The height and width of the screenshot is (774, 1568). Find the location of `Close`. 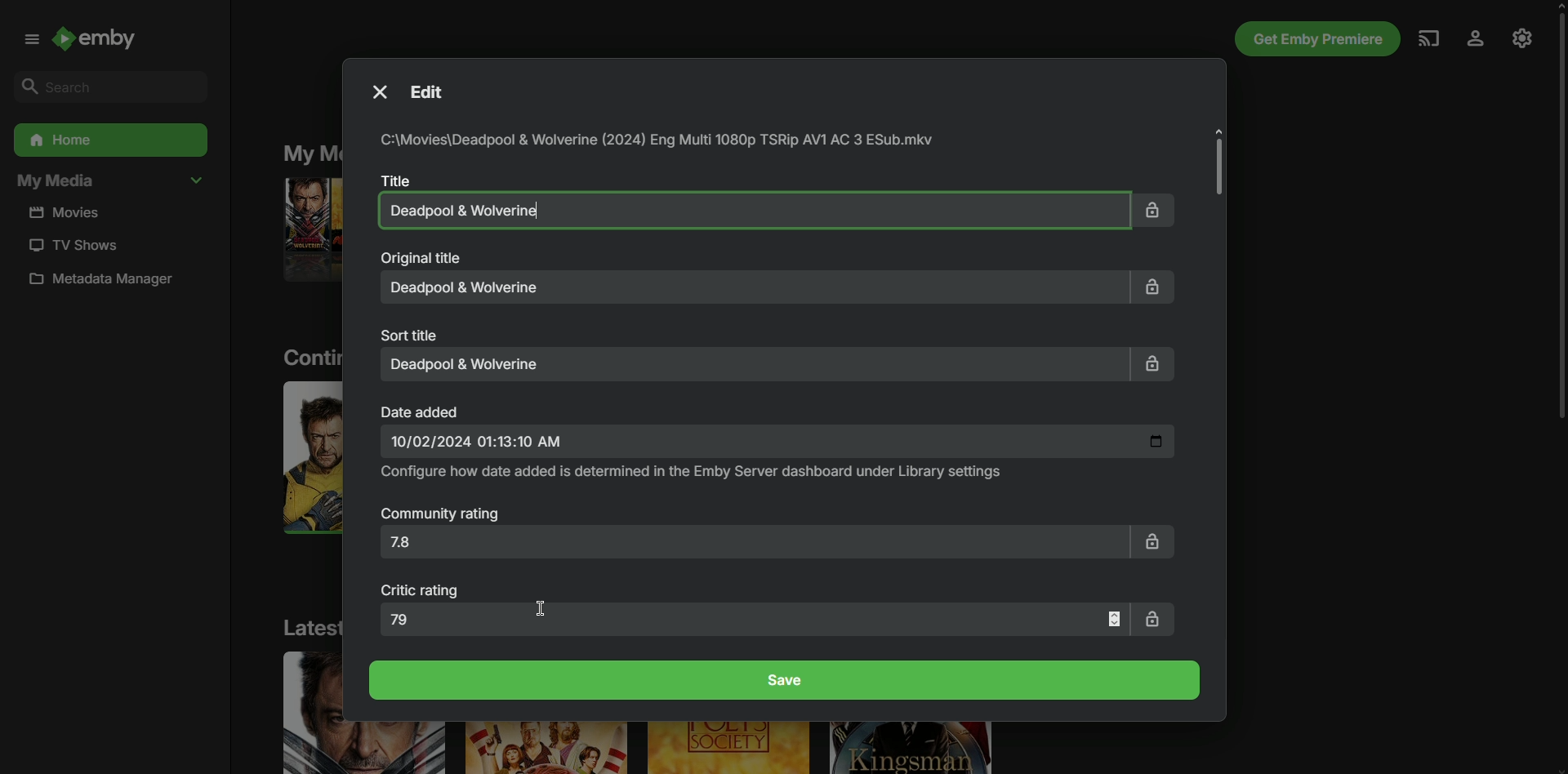

Close is located at coordinates (377, 91).